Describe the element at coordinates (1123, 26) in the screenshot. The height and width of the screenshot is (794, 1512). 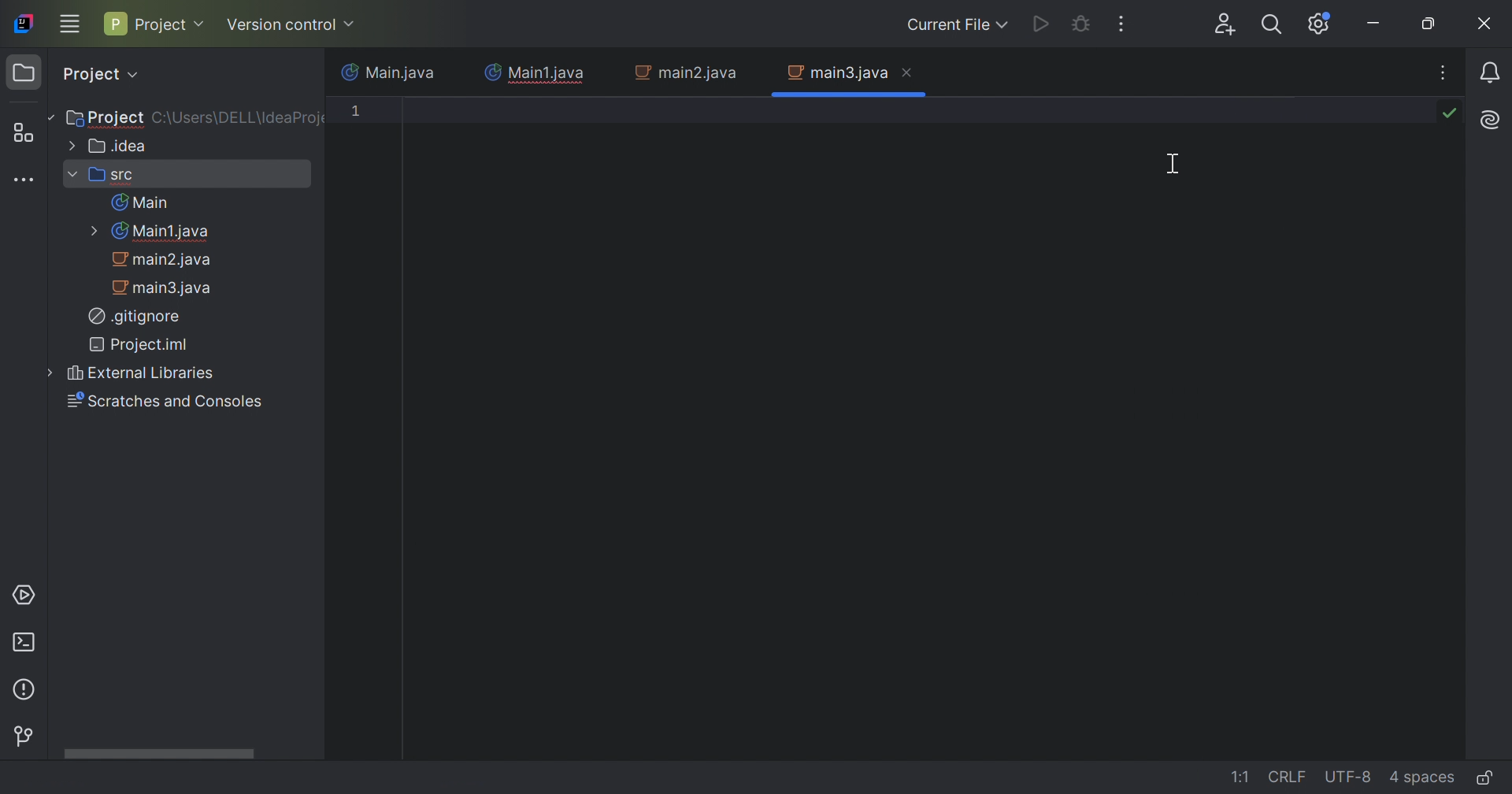
I see `More Actions` at that location.